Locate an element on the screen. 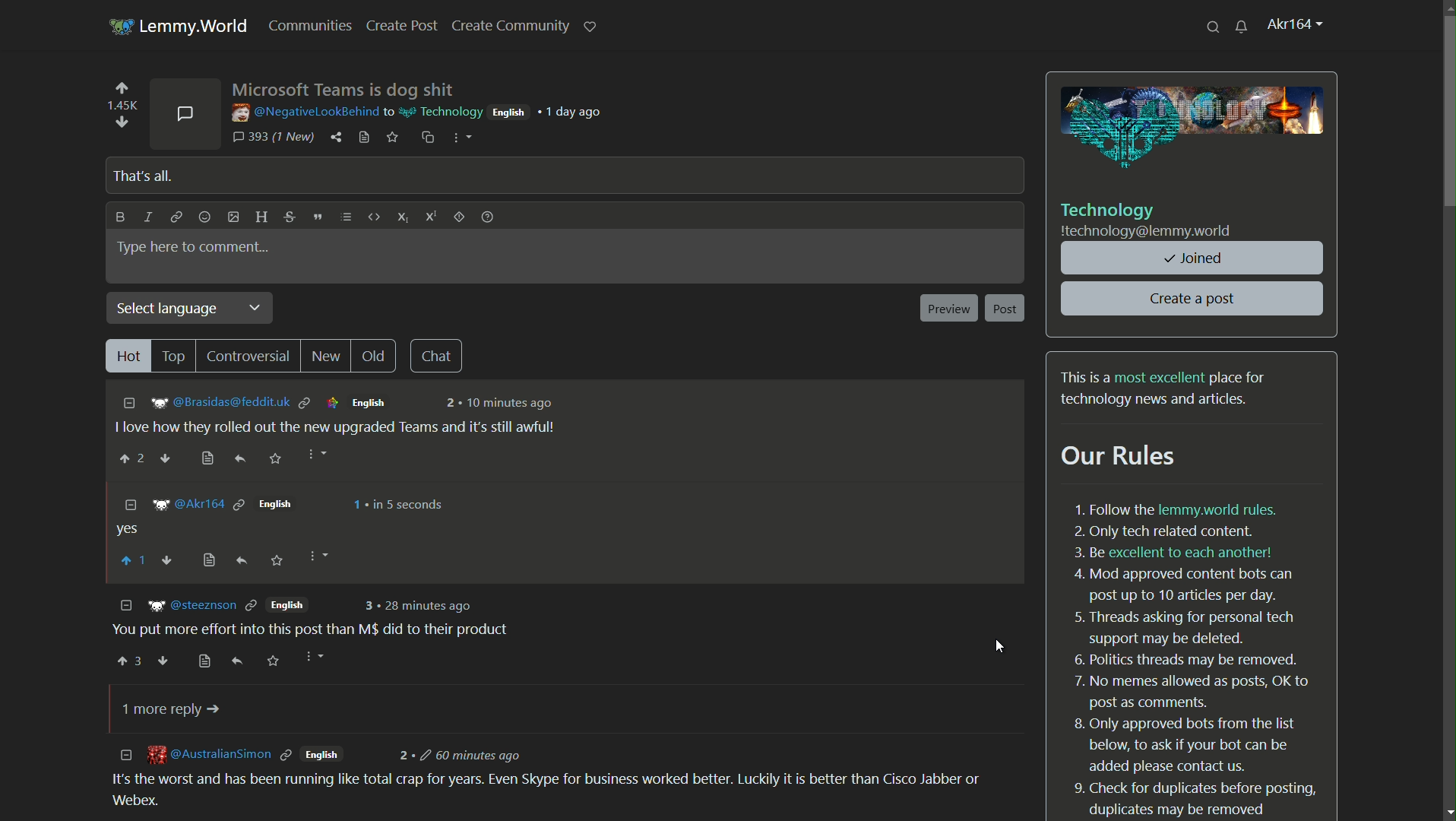 Image resolution: width=1456 pixels, height=821 pixels. old is located at coordinates (378, 356).